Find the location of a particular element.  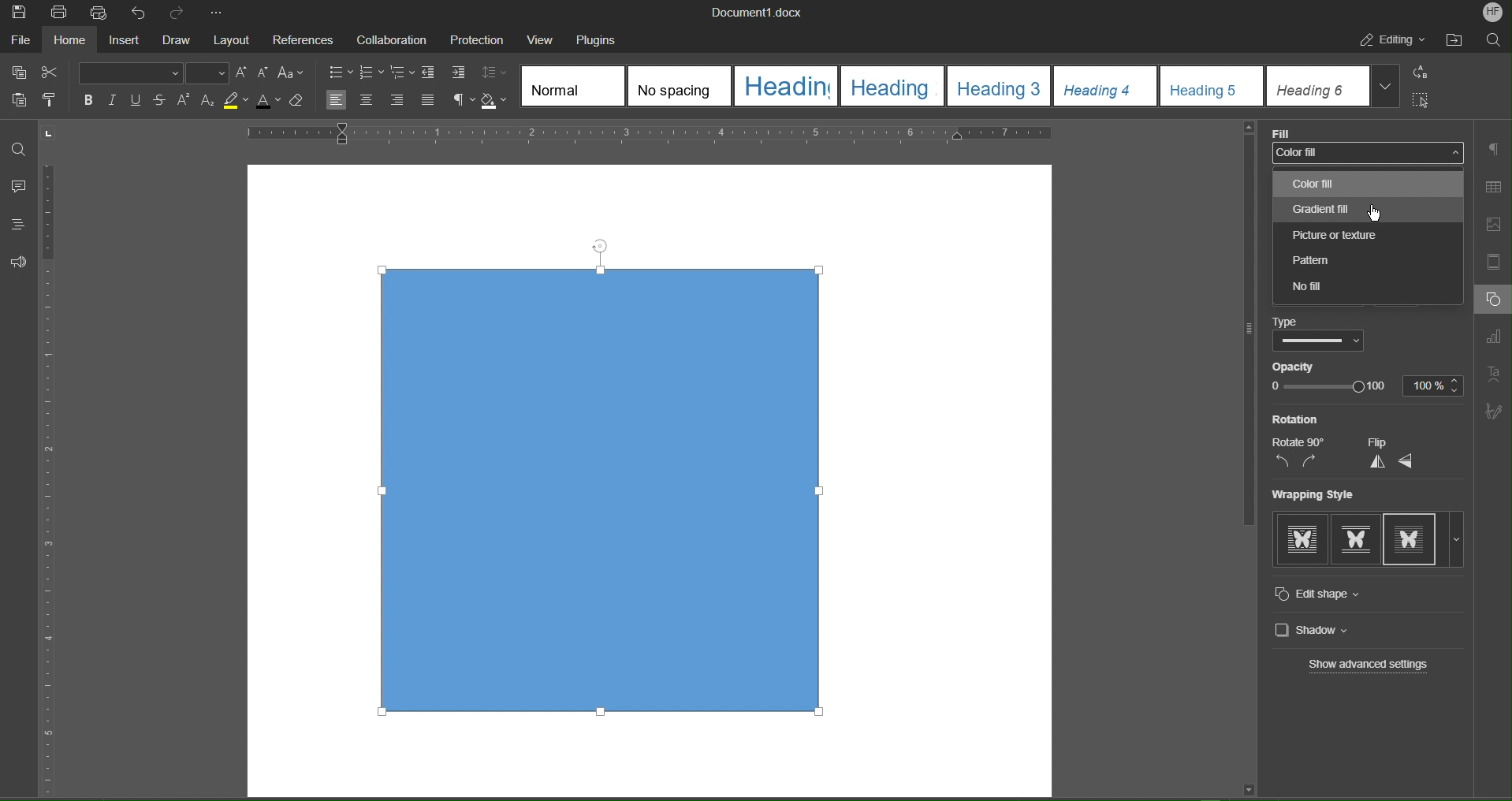

Show advanced settings is located at coordinates (1365, 665).